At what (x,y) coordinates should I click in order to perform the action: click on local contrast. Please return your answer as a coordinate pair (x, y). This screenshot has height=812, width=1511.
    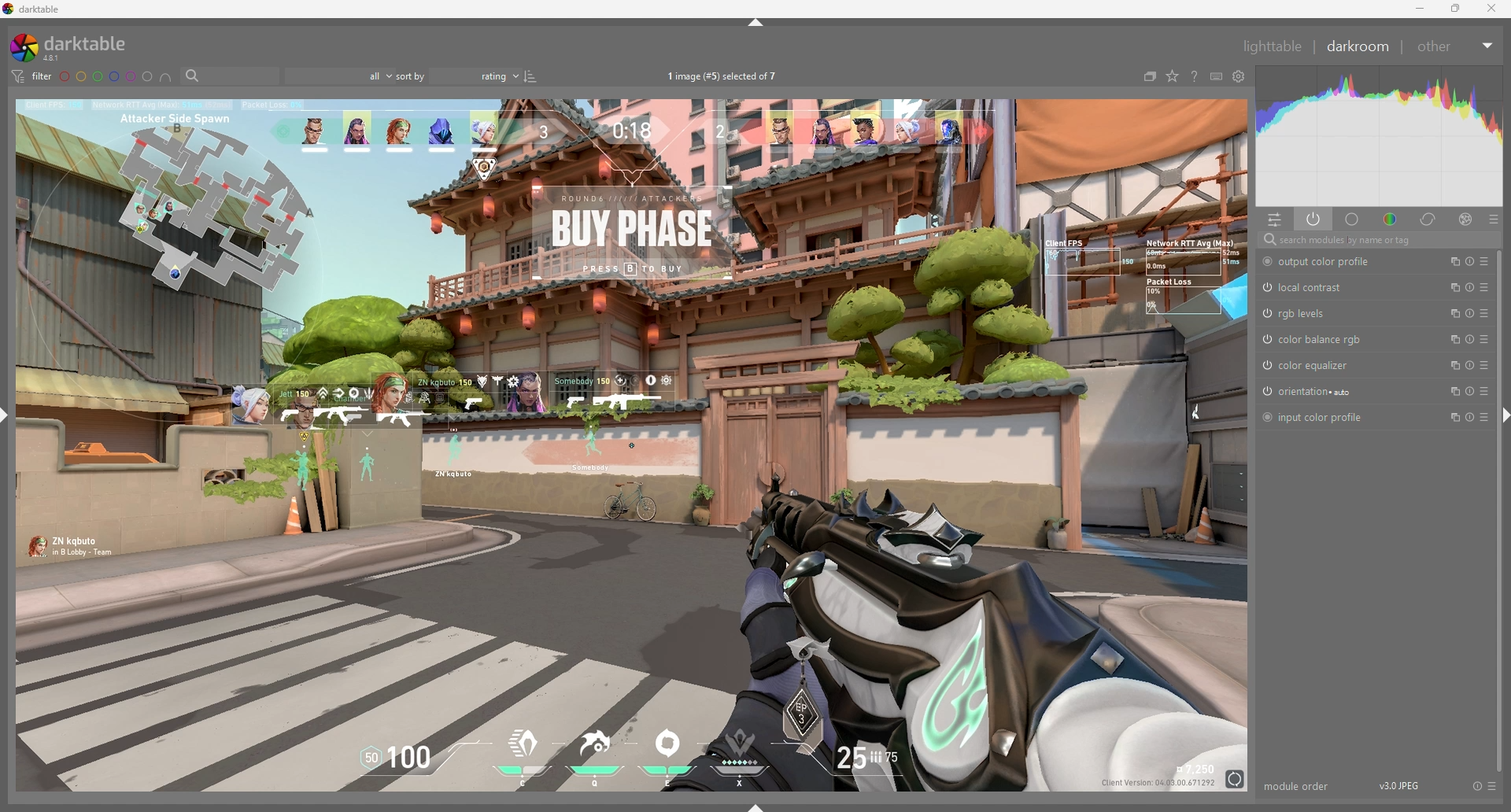
    Looking at the image, I should click on (1309, 287).